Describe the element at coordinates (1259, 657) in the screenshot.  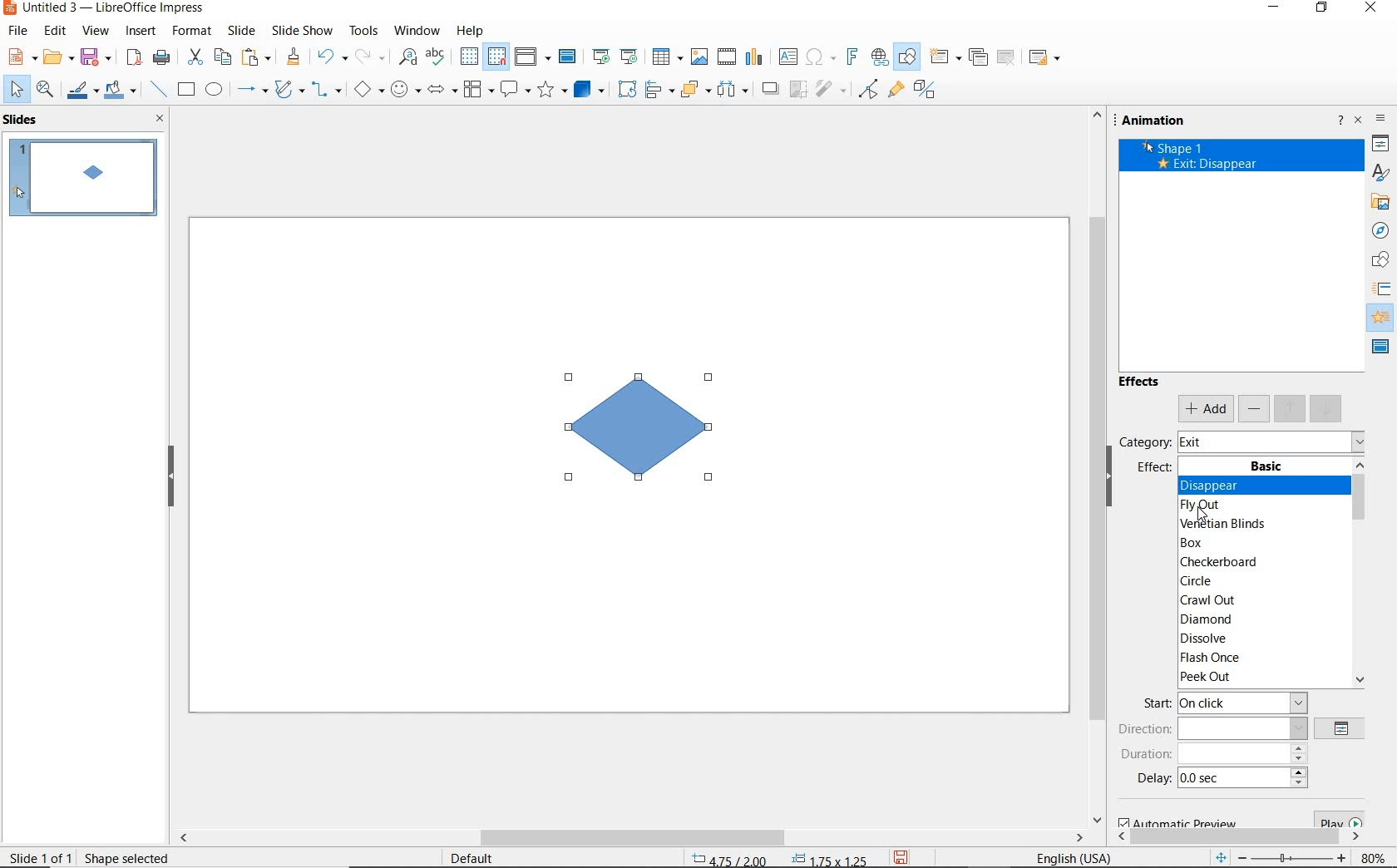
I see `flash once` at that location.